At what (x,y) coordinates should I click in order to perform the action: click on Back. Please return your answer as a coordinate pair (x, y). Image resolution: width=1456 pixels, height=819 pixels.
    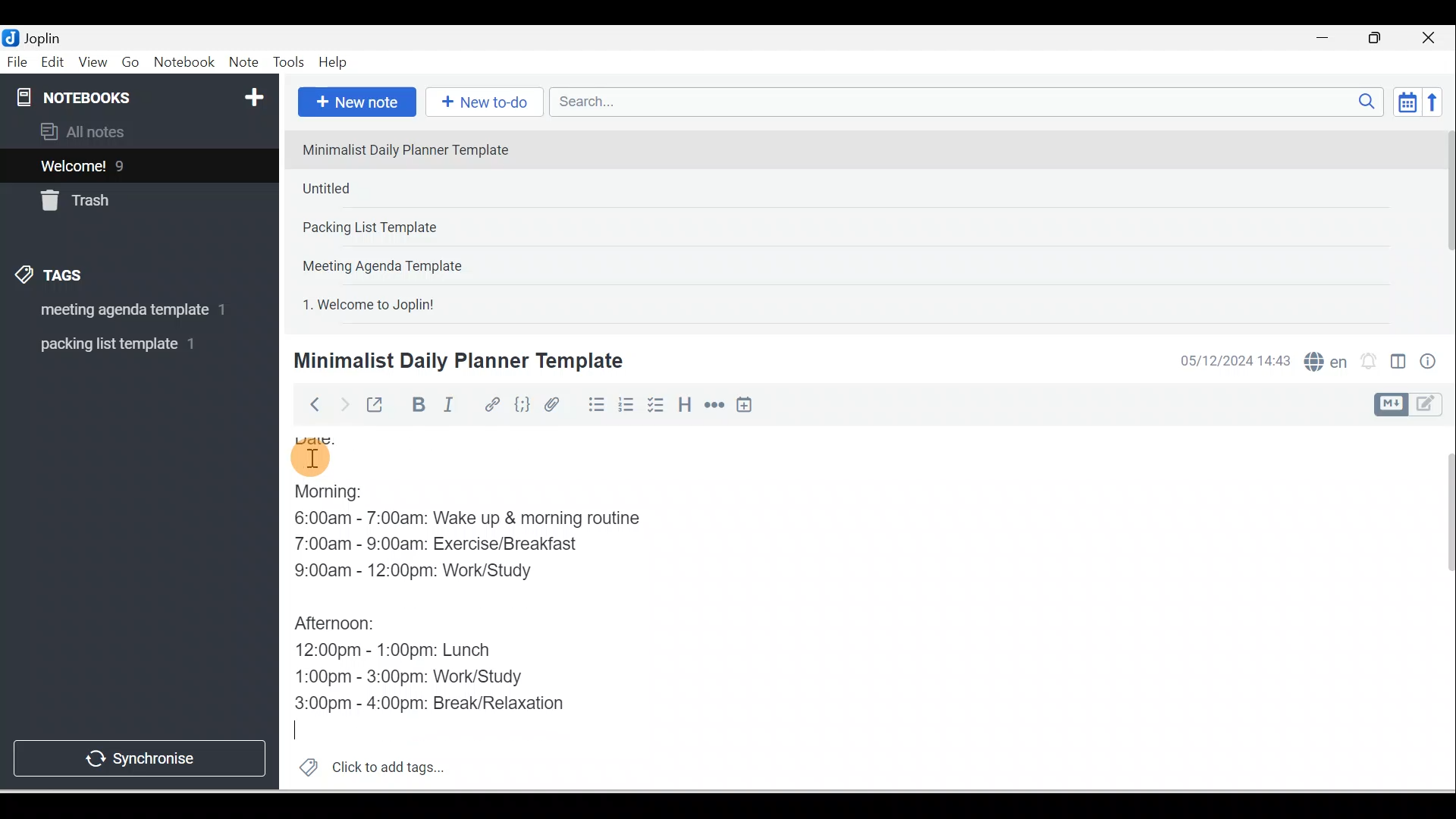
    Looking at the image, I should click on (308, 404).